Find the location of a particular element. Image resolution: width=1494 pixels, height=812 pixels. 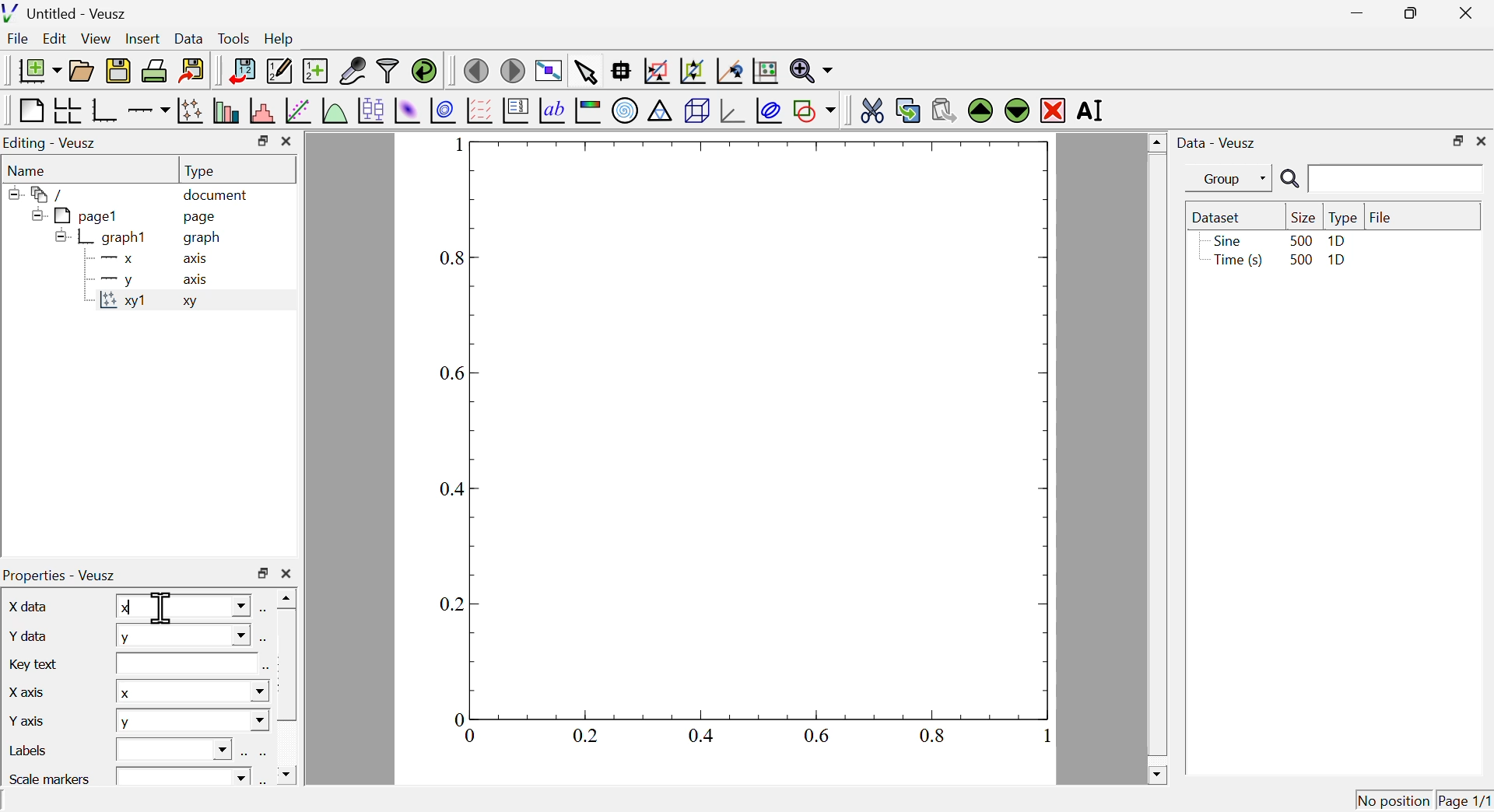

size is located at coordinates (1301, 217).